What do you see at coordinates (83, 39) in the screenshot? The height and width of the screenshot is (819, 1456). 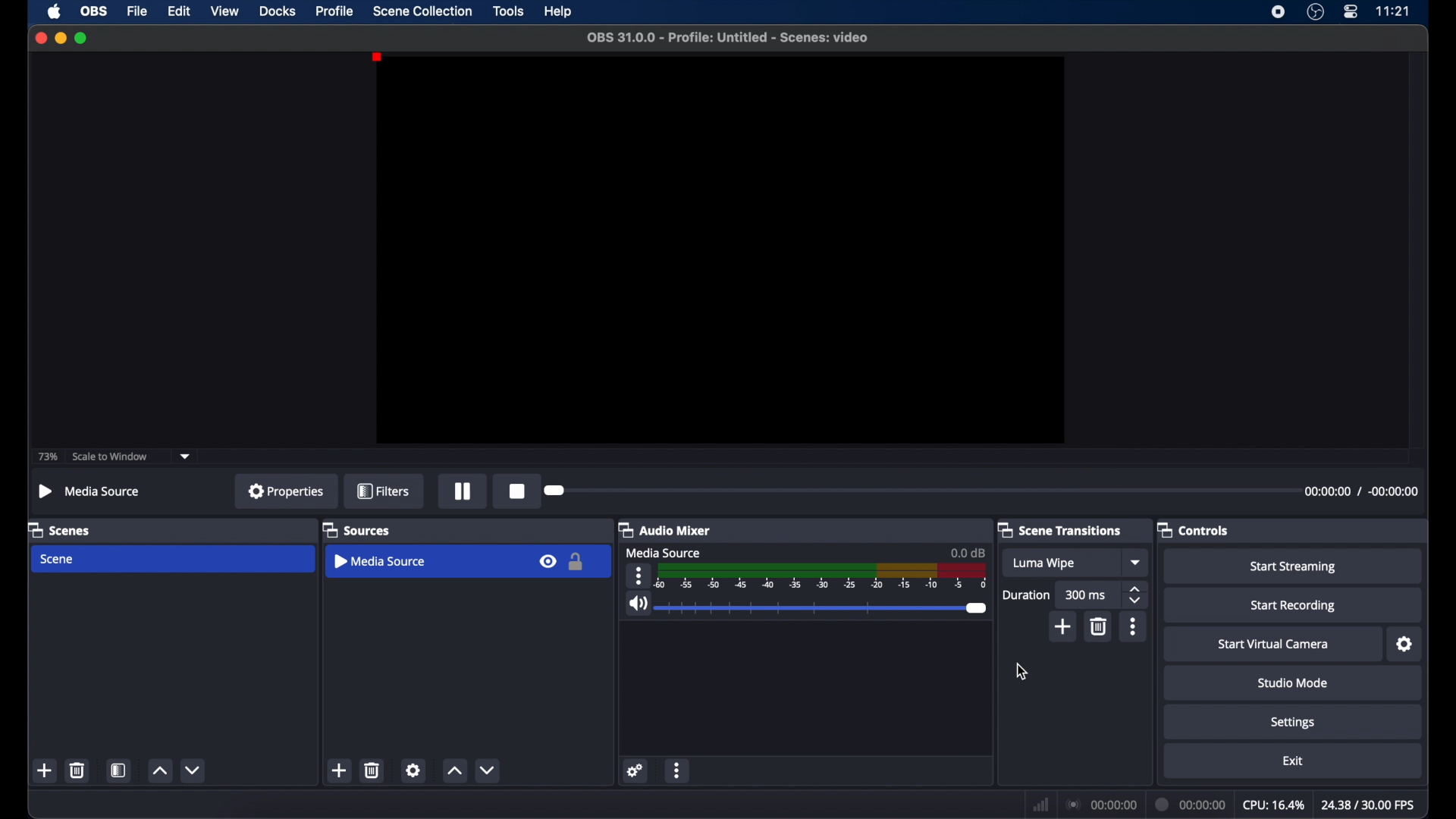 I see `maximize` at bounding box center [83, 39].